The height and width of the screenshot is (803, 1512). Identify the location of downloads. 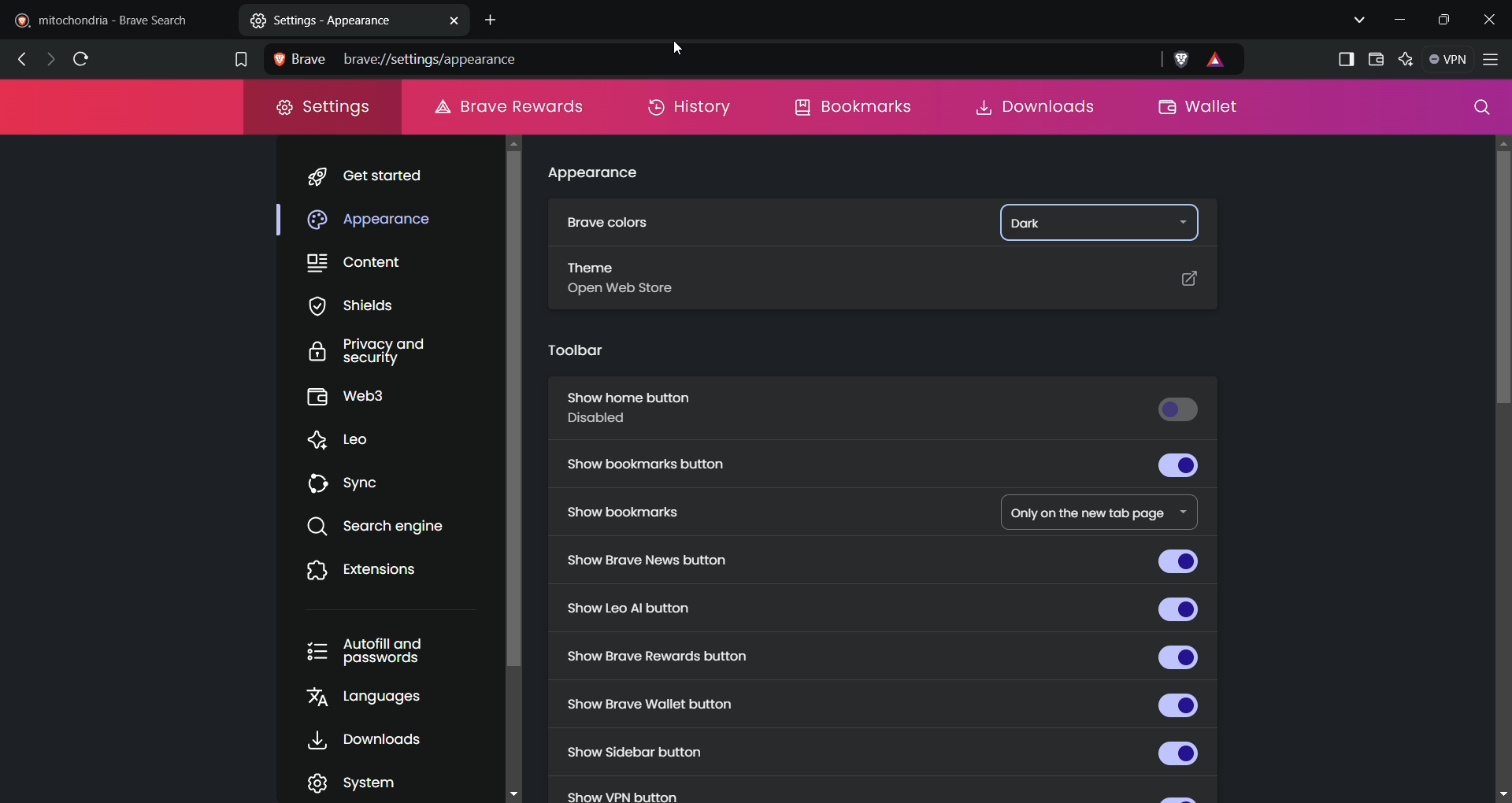
(375, 740).